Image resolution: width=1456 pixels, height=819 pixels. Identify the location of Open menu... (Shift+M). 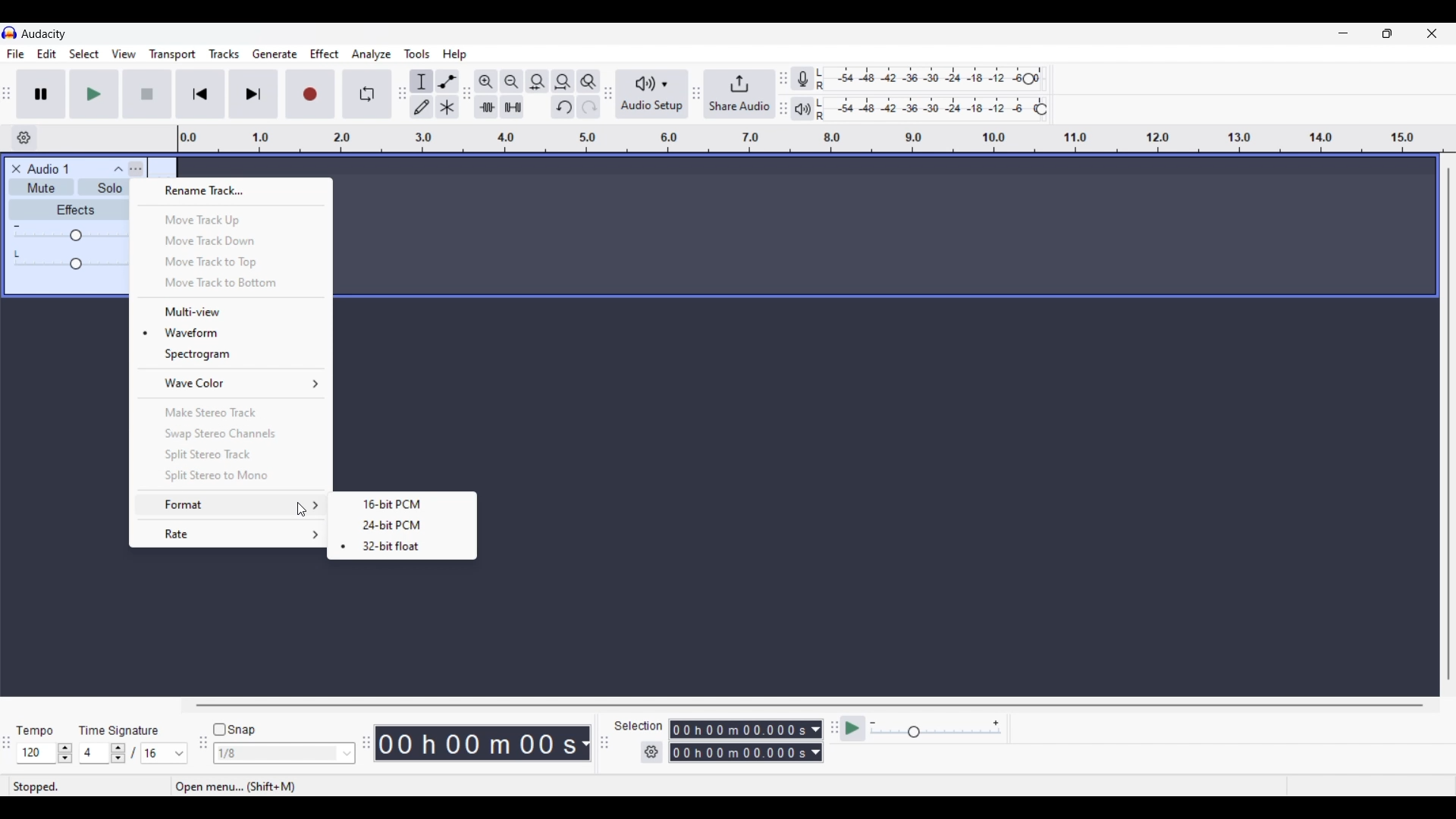
(243, 788).